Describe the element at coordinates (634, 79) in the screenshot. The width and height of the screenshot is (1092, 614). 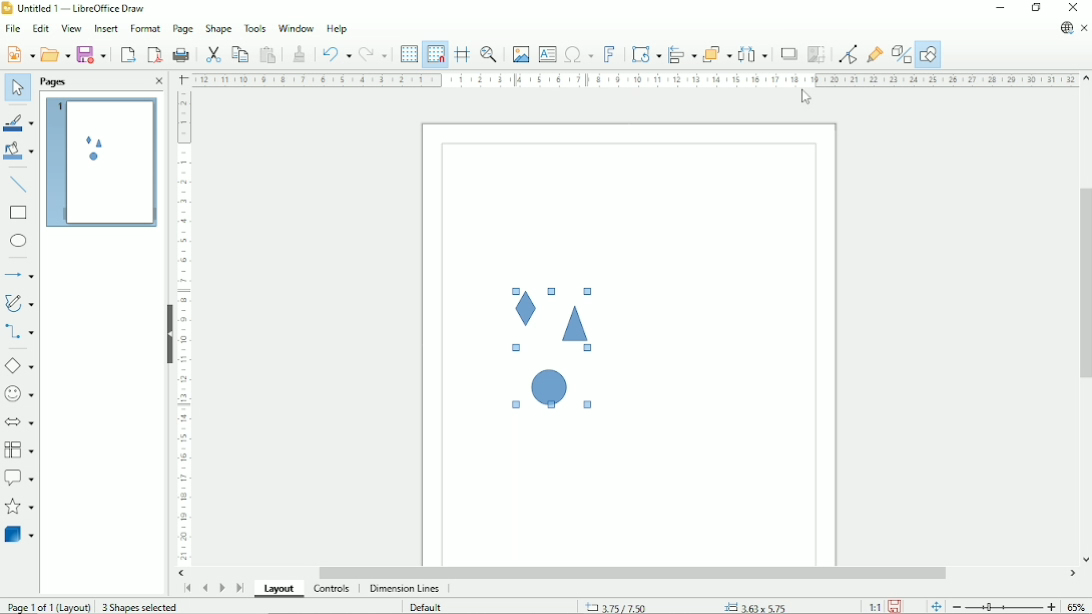
I see `Horizontal scale` at that location.